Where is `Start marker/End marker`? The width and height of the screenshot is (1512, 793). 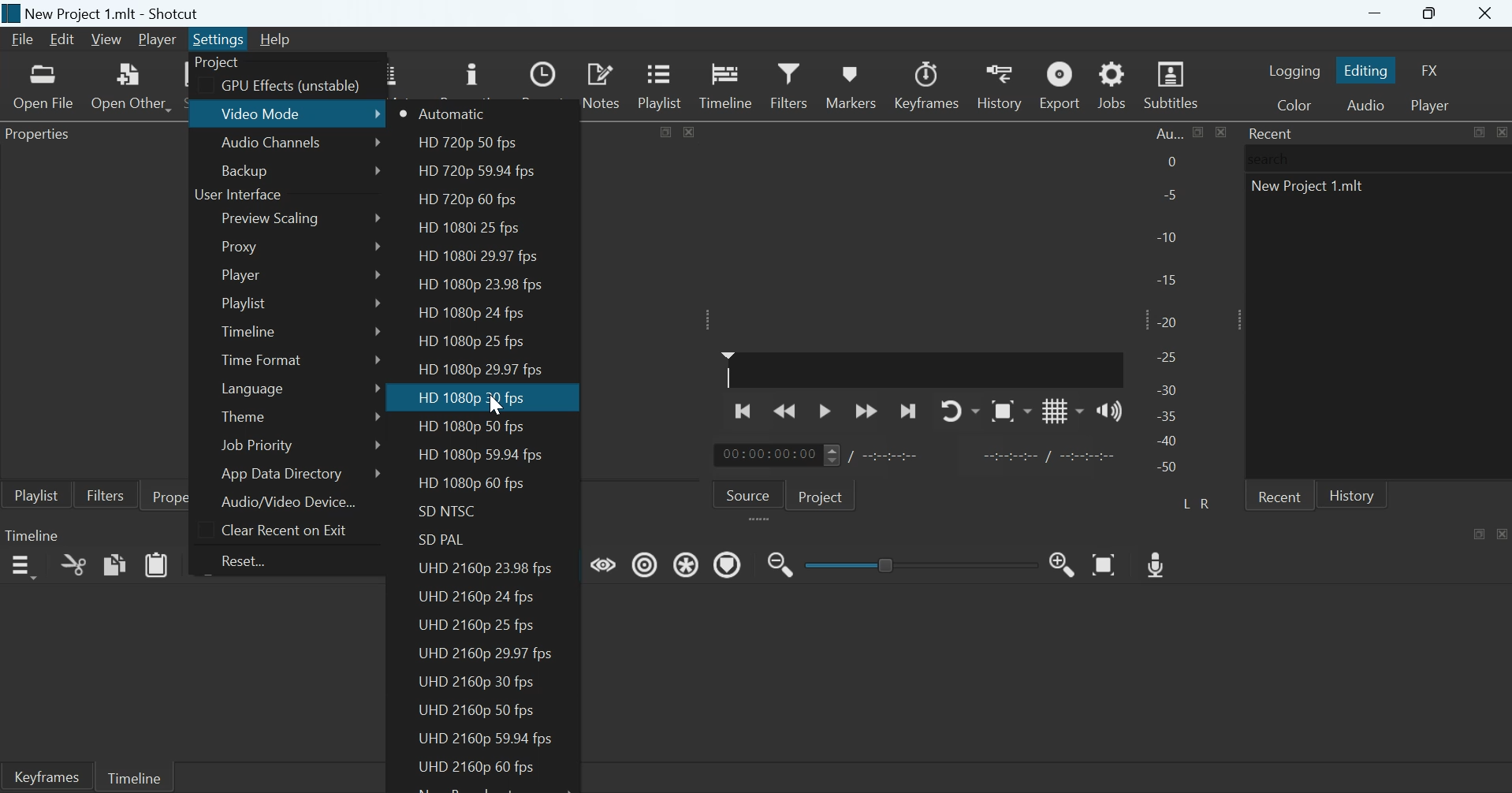
Start marker/End marker is located at coordinates (1052, 454).